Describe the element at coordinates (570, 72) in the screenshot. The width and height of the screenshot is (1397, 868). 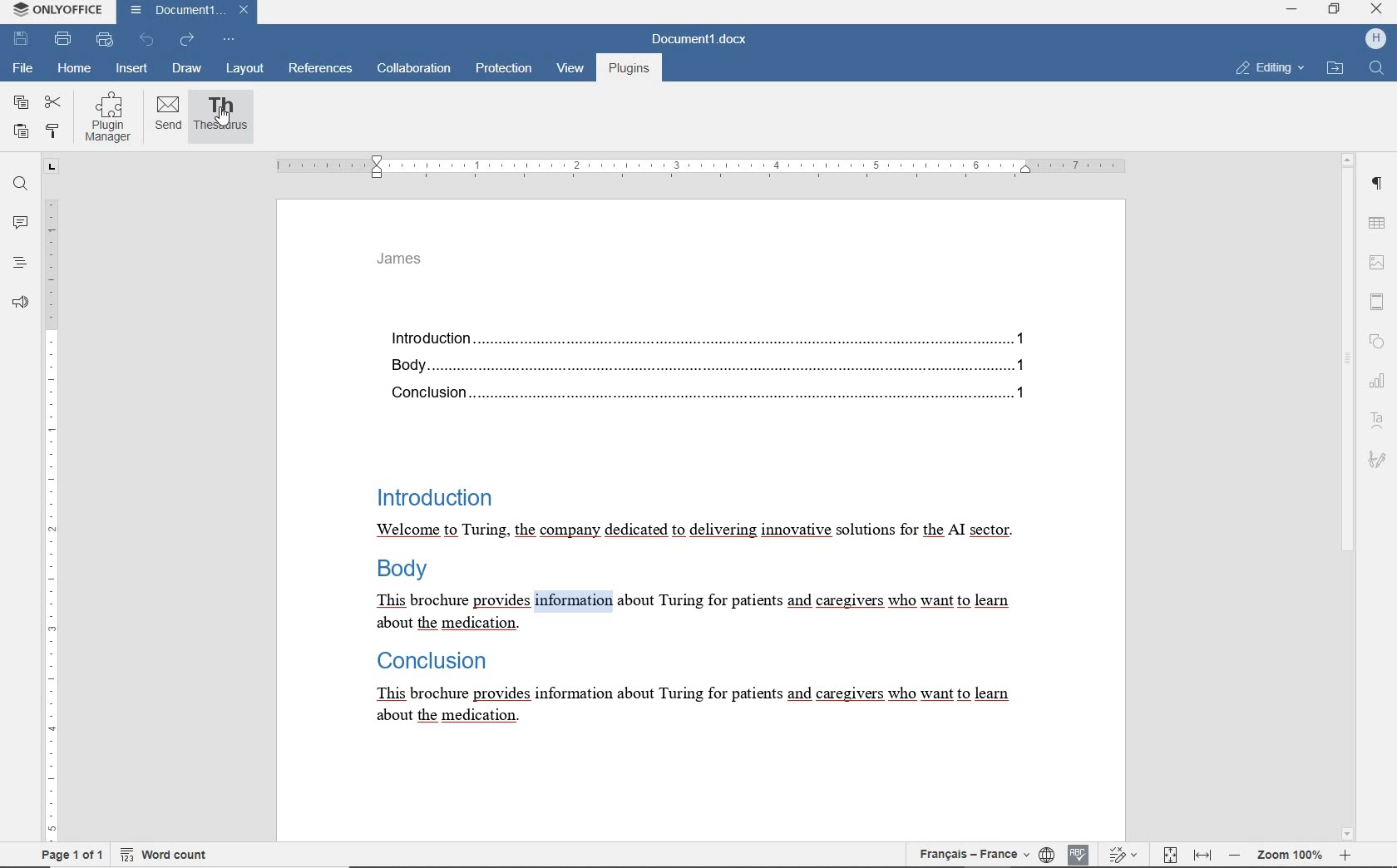
I see `VIEW` at that location.